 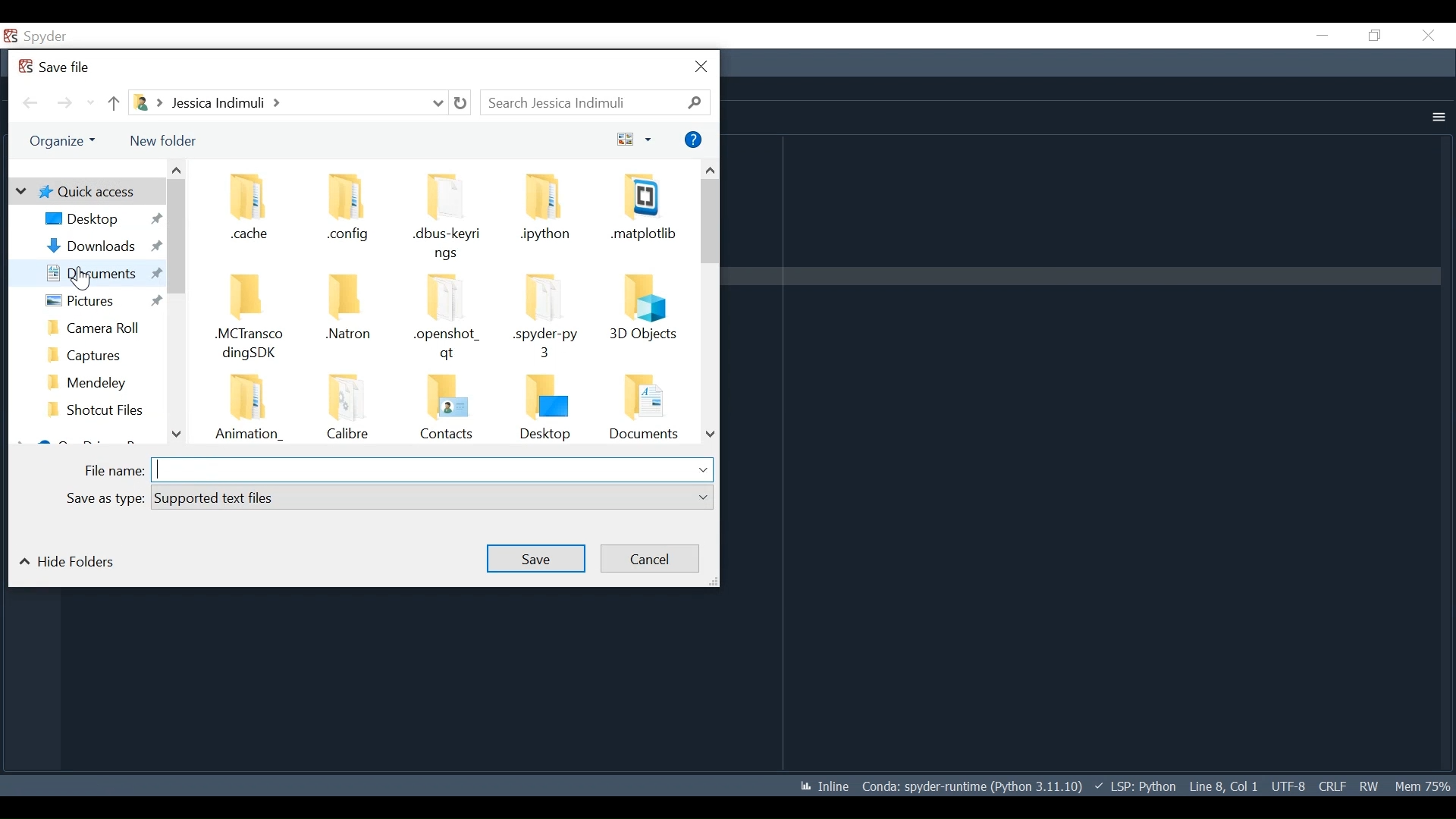 What do you see at coordinates (595, 102) in the screenshot?
I see `Search` at bounding box center [595, 102].